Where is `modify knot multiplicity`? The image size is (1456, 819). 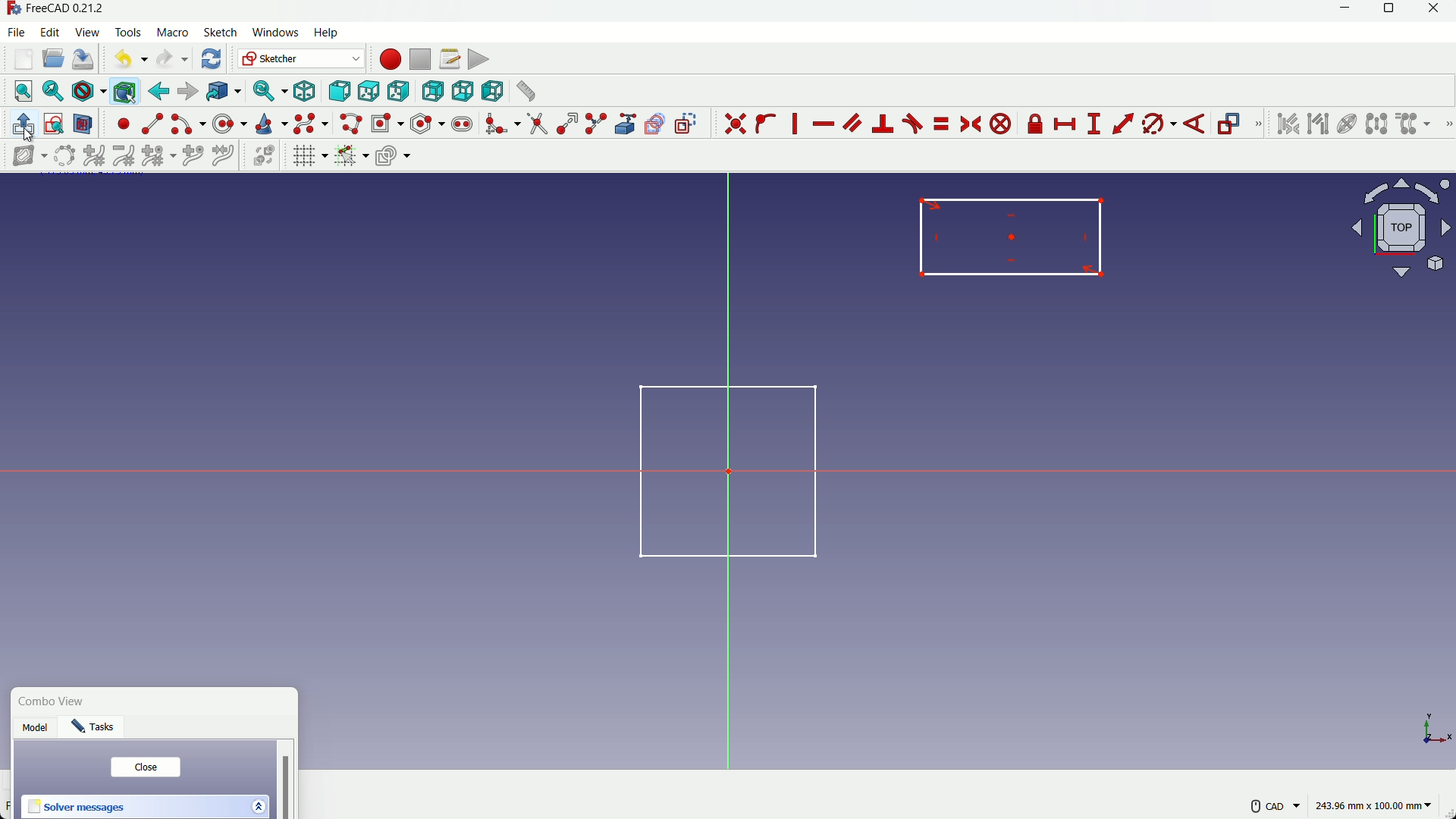
modify knot multiplicity is located at coordinates (158, 155).